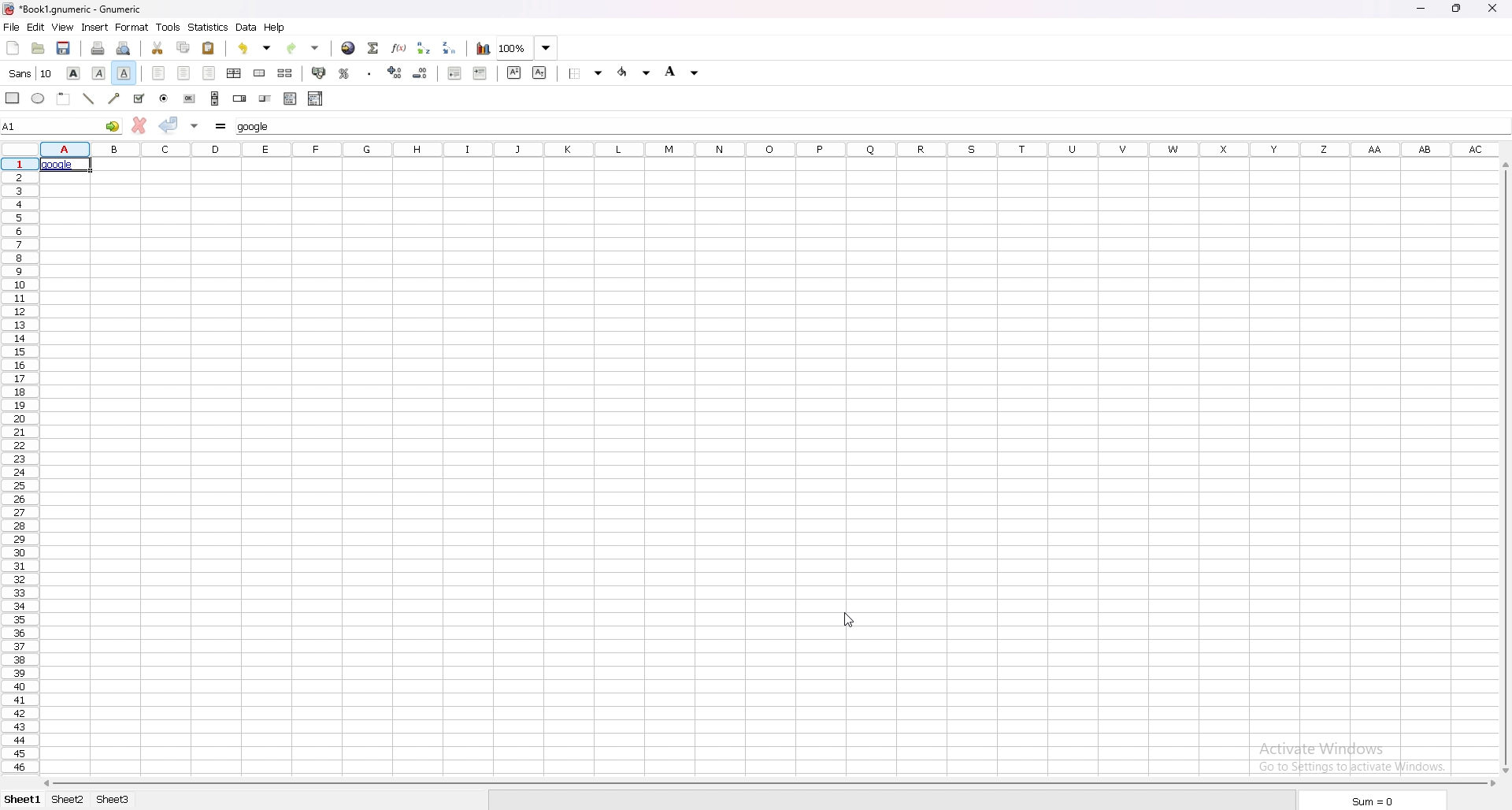 This screenshot has height=810, width=1512. What do you see at coordinates (1421, 9) in the screenshot?
I see `minimize` at bounding box center [1421, 9].